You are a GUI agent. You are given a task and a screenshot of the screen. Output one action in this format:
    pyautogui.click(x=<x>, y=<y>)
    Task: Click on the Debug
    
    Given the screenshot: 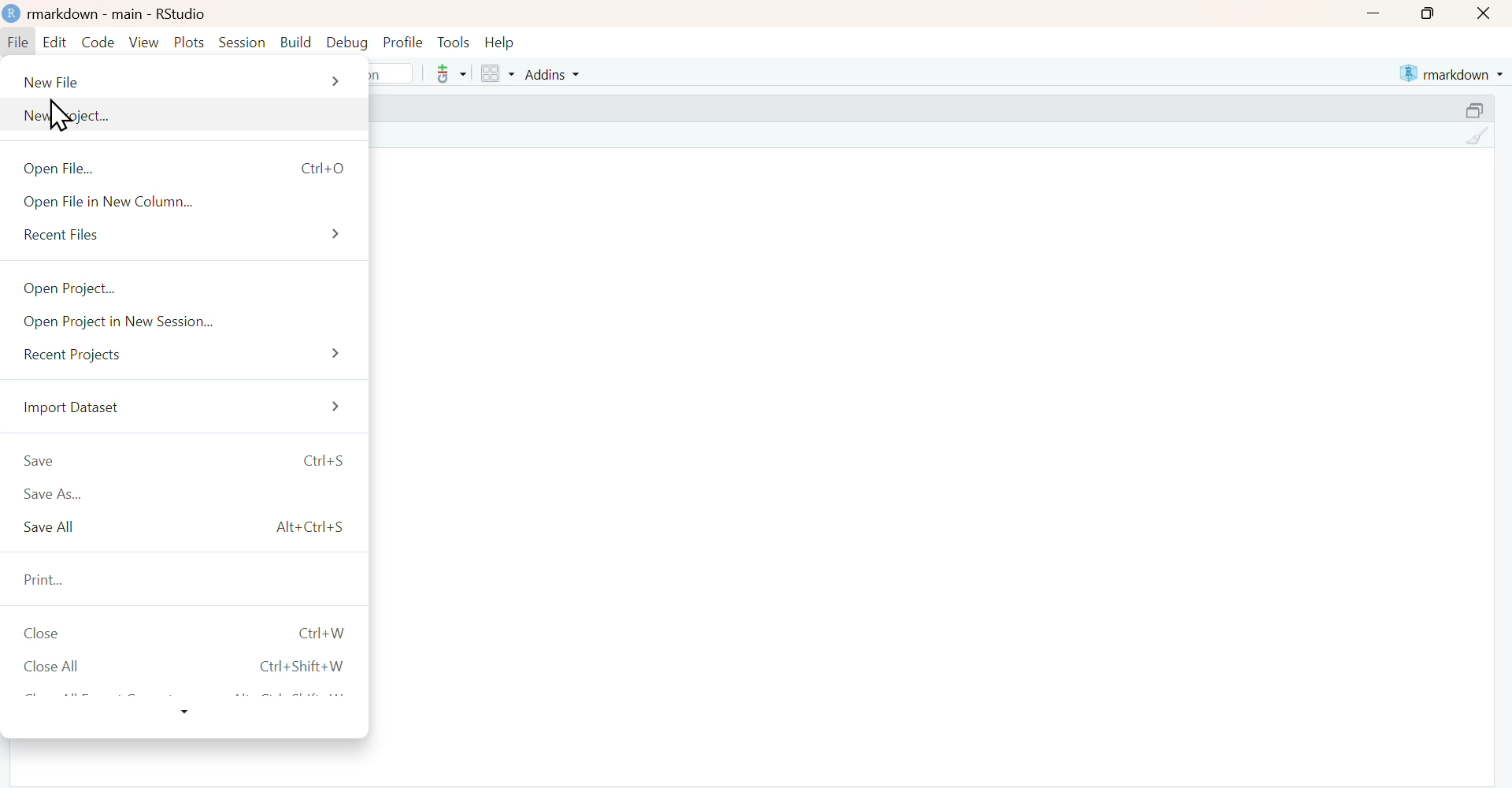 What is the action you would take?
    pyautogui.click(x=346, y=43)
    